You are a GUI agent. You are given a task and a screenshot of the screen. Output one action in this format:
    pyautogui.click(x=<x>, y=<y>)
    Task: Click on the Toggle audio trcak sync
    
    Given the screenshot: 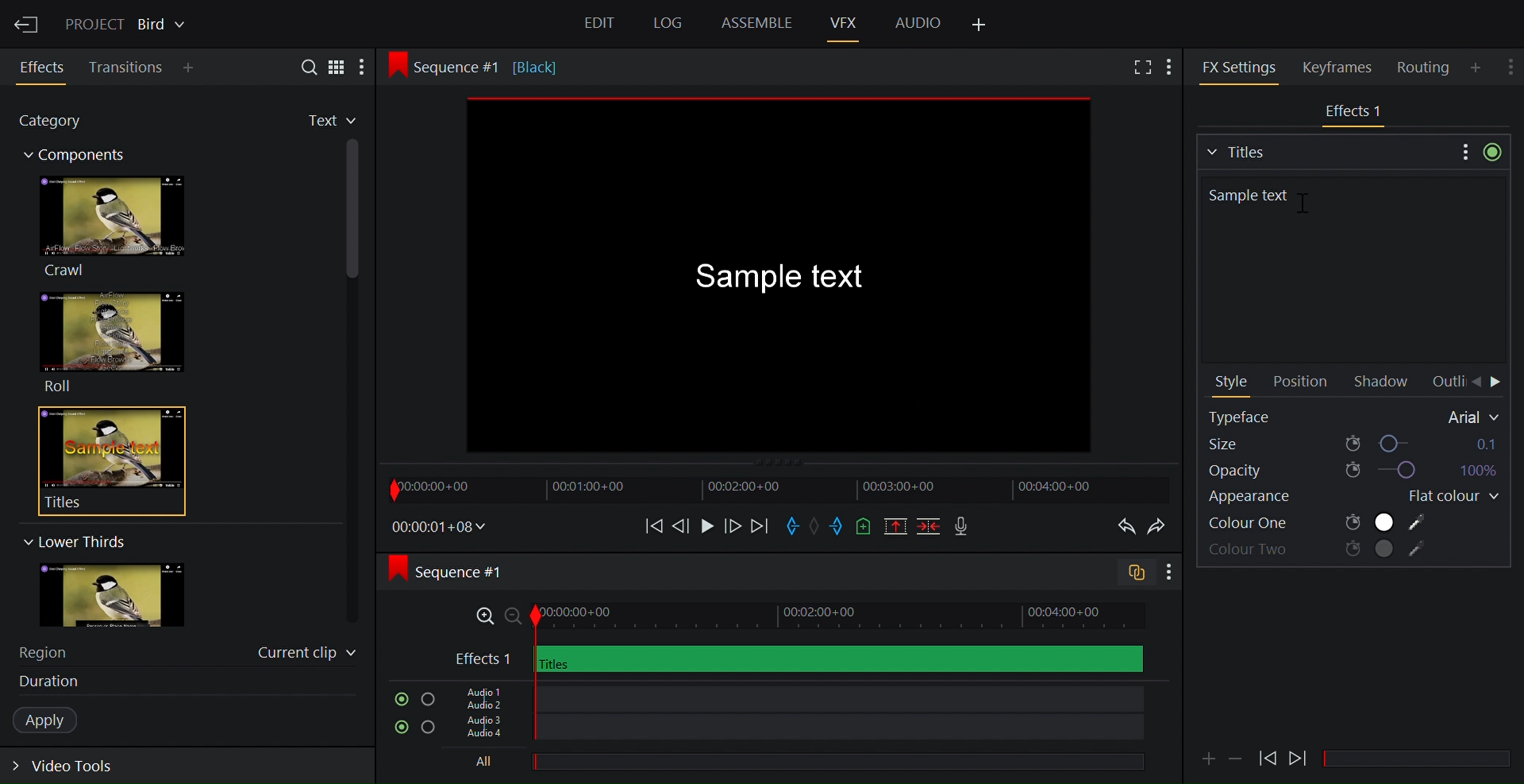 What is the action you would take?
    pyautogui.click(x=1130, y=575)
    